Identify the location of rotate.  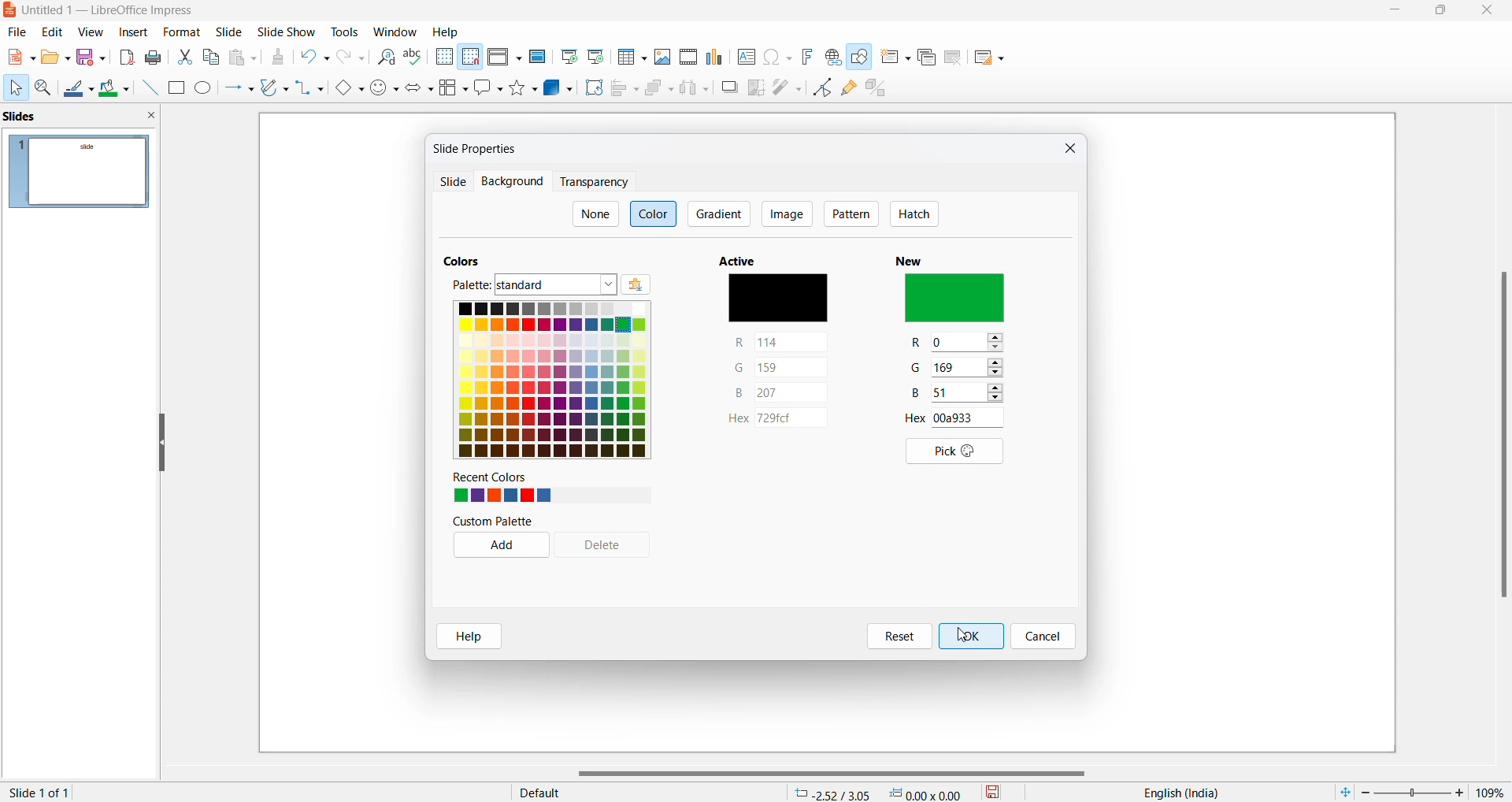
(592, 87).